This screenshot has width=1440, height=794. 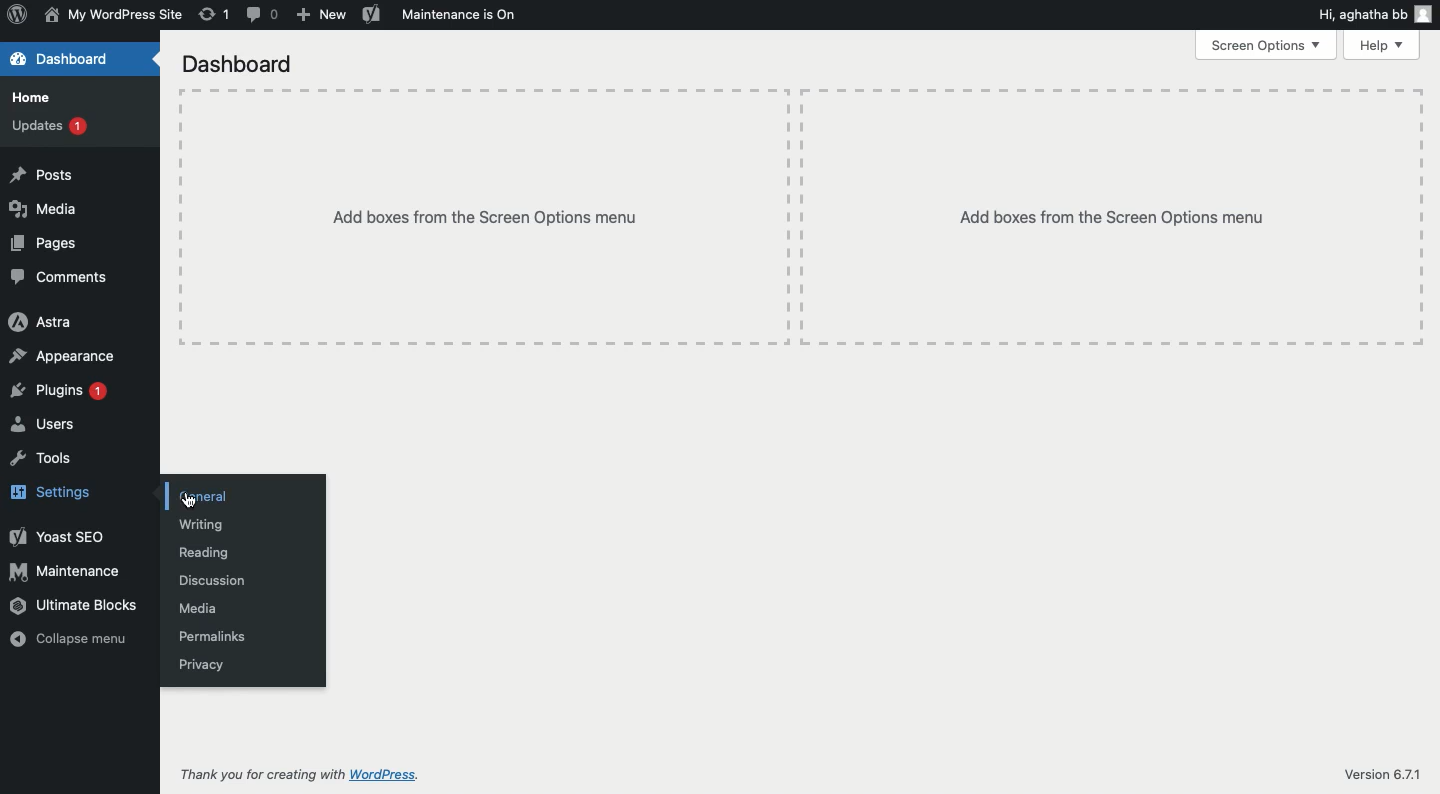 What do you see at coordinates (71, 639) in the screenshot?
I see `Collapse menu` at bounding box center [71, 639].